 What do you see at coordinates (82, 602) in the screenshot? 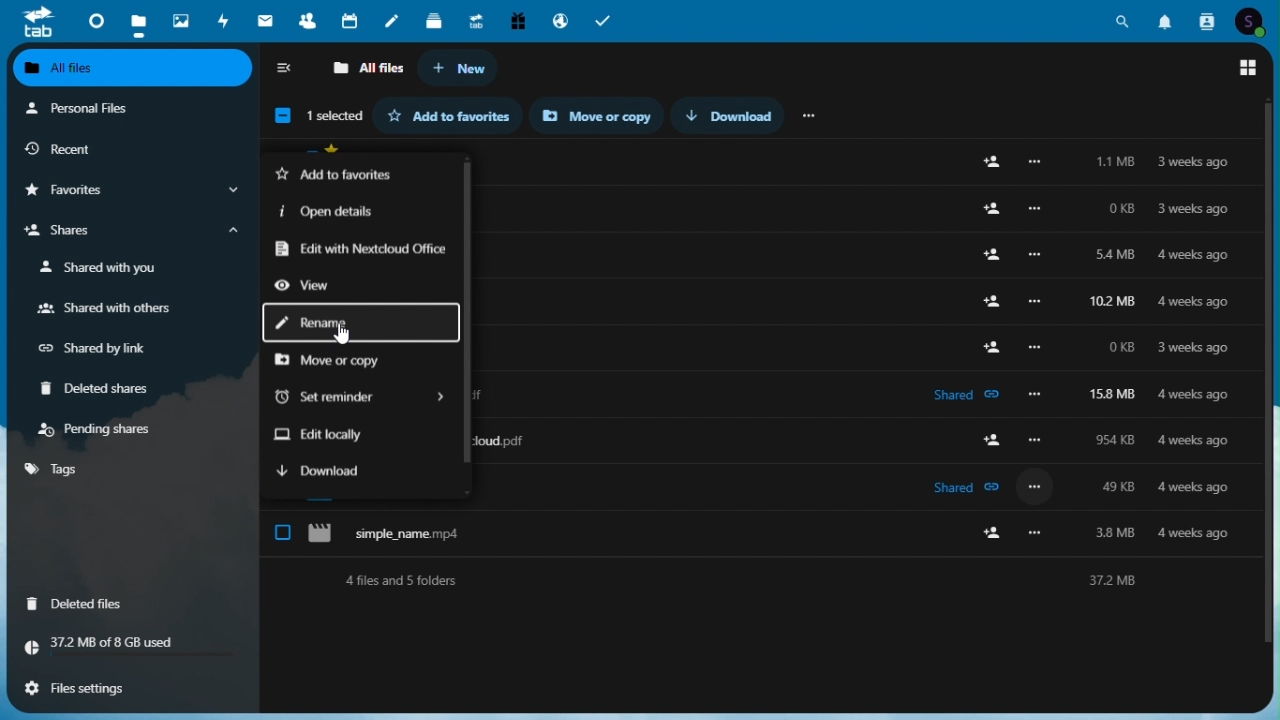
I see `deleted files` at bounding box center [82, 602].